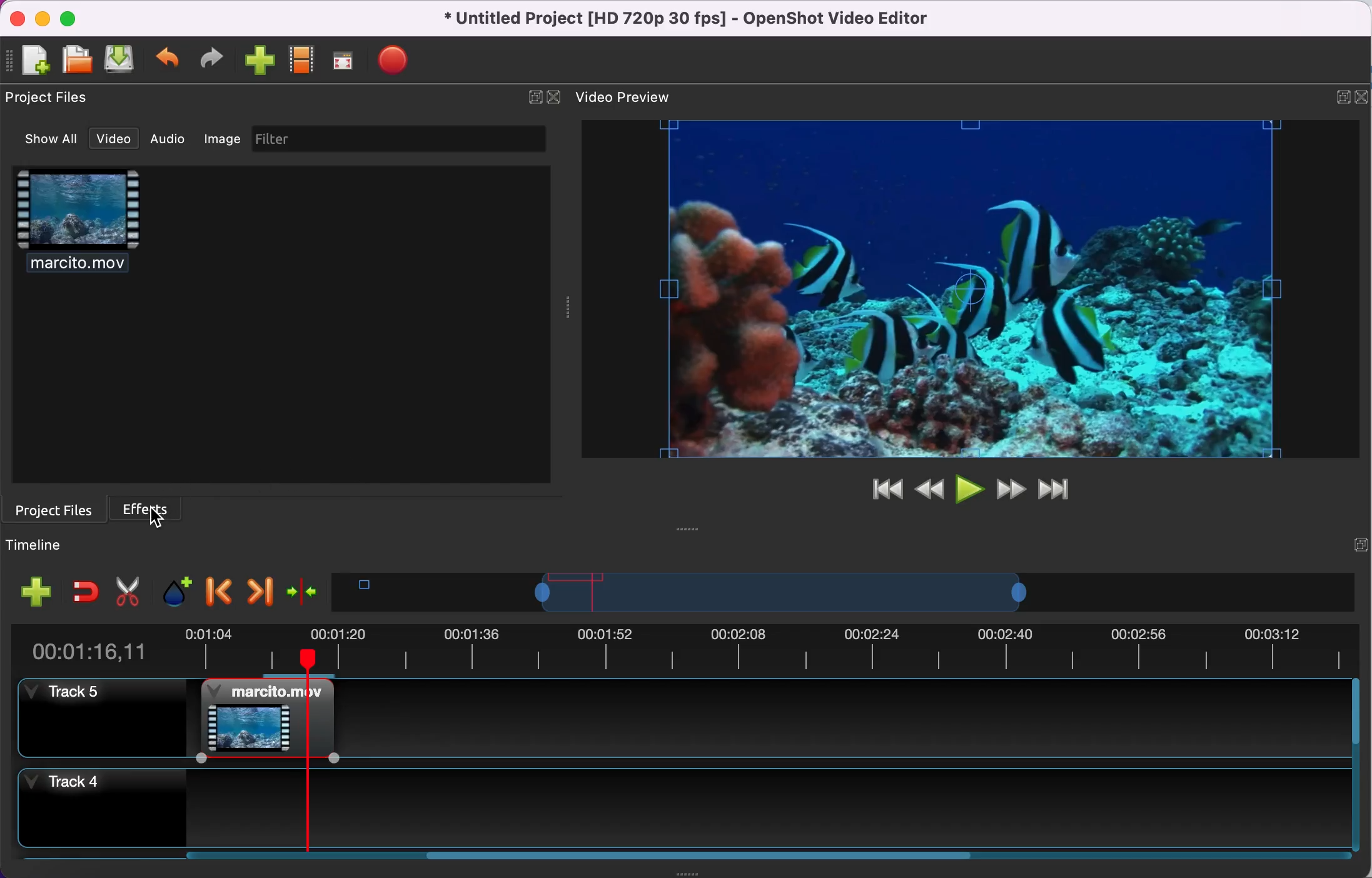 Image resolution: width=1372 pixels, height=878 pixels. I want to click on add marker, so click(171, 590).